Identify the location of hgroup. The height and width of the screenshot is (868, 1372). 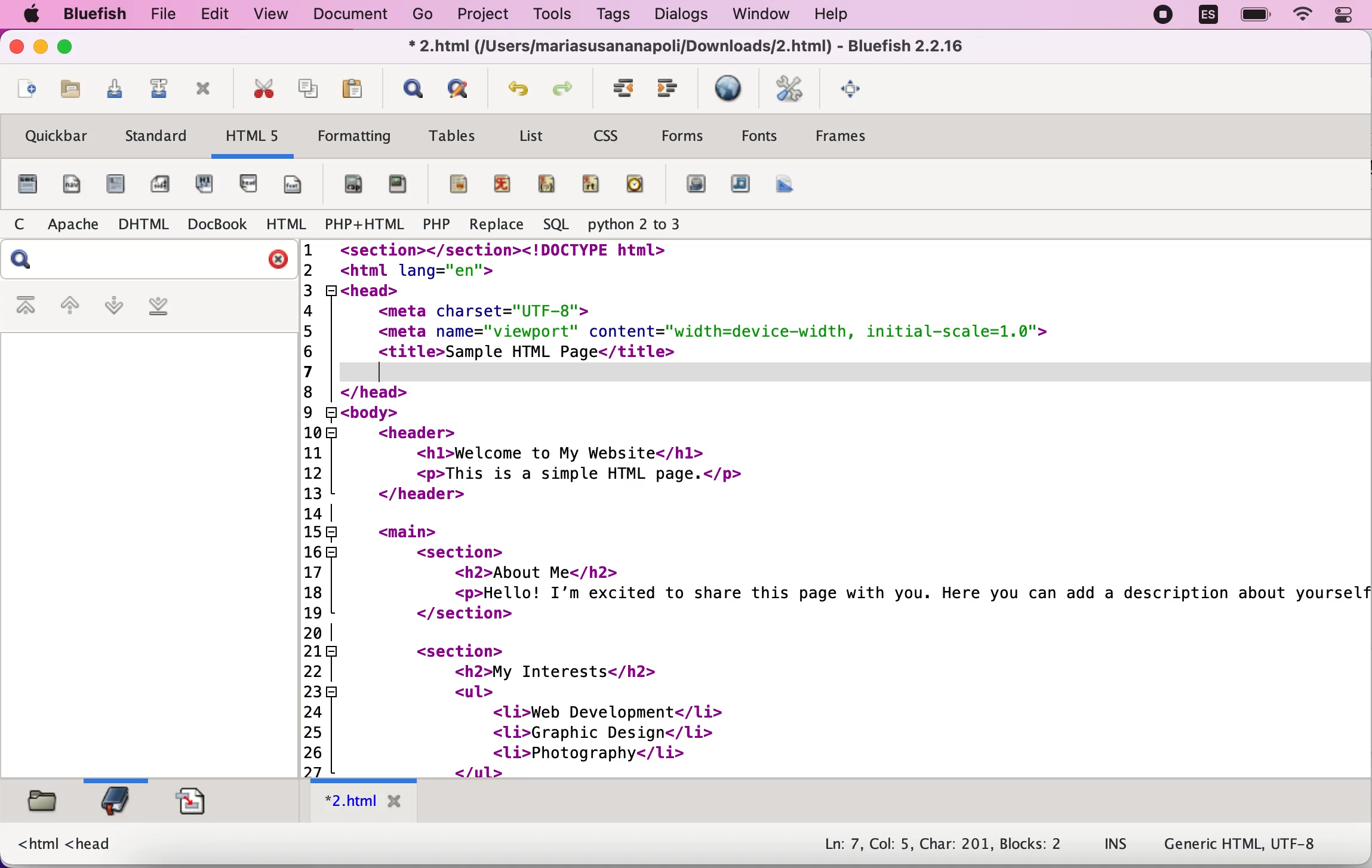
(212, 183).